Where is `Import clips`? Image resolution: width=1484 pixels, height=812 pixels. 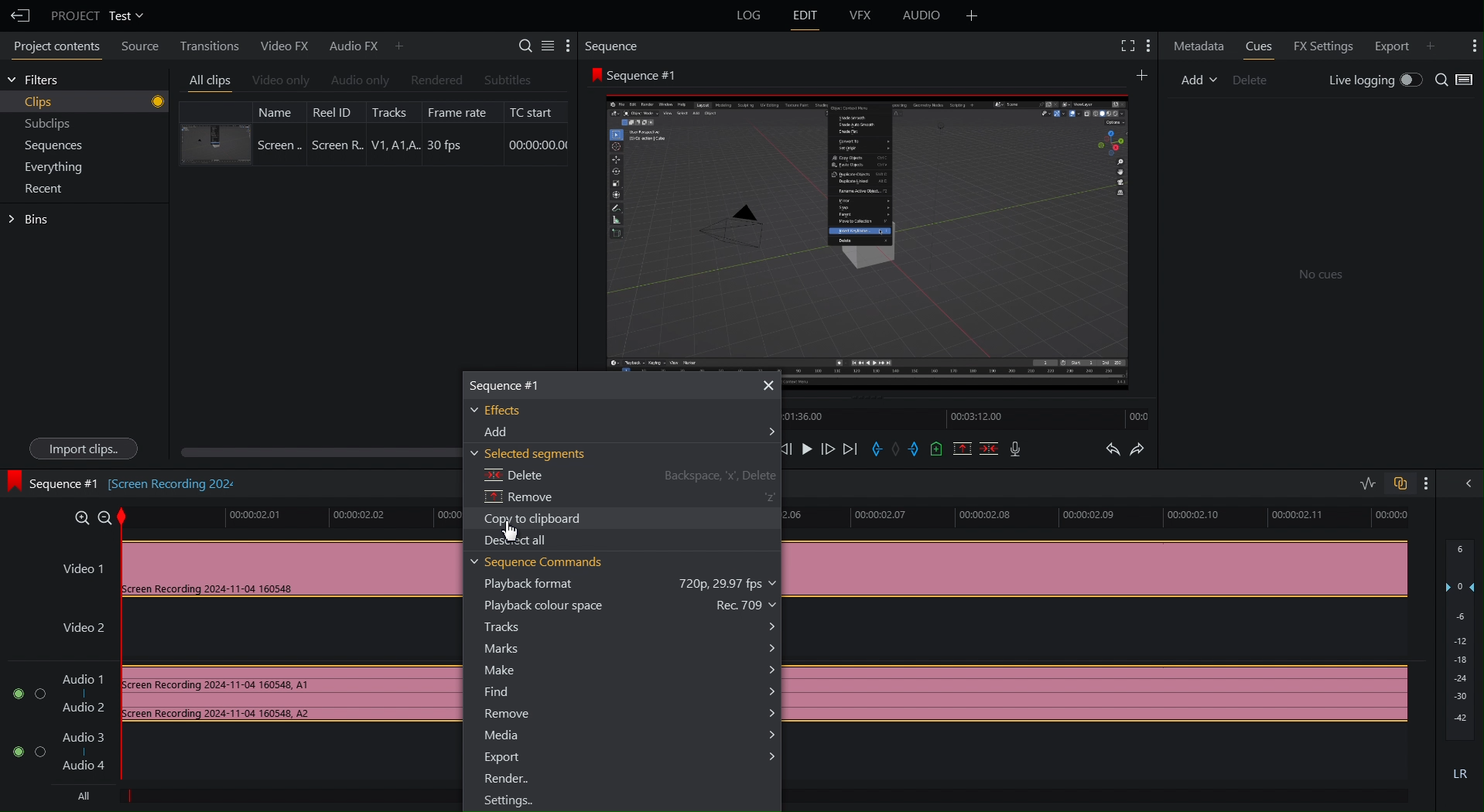 Import clips is located at coordinates (77, 448).